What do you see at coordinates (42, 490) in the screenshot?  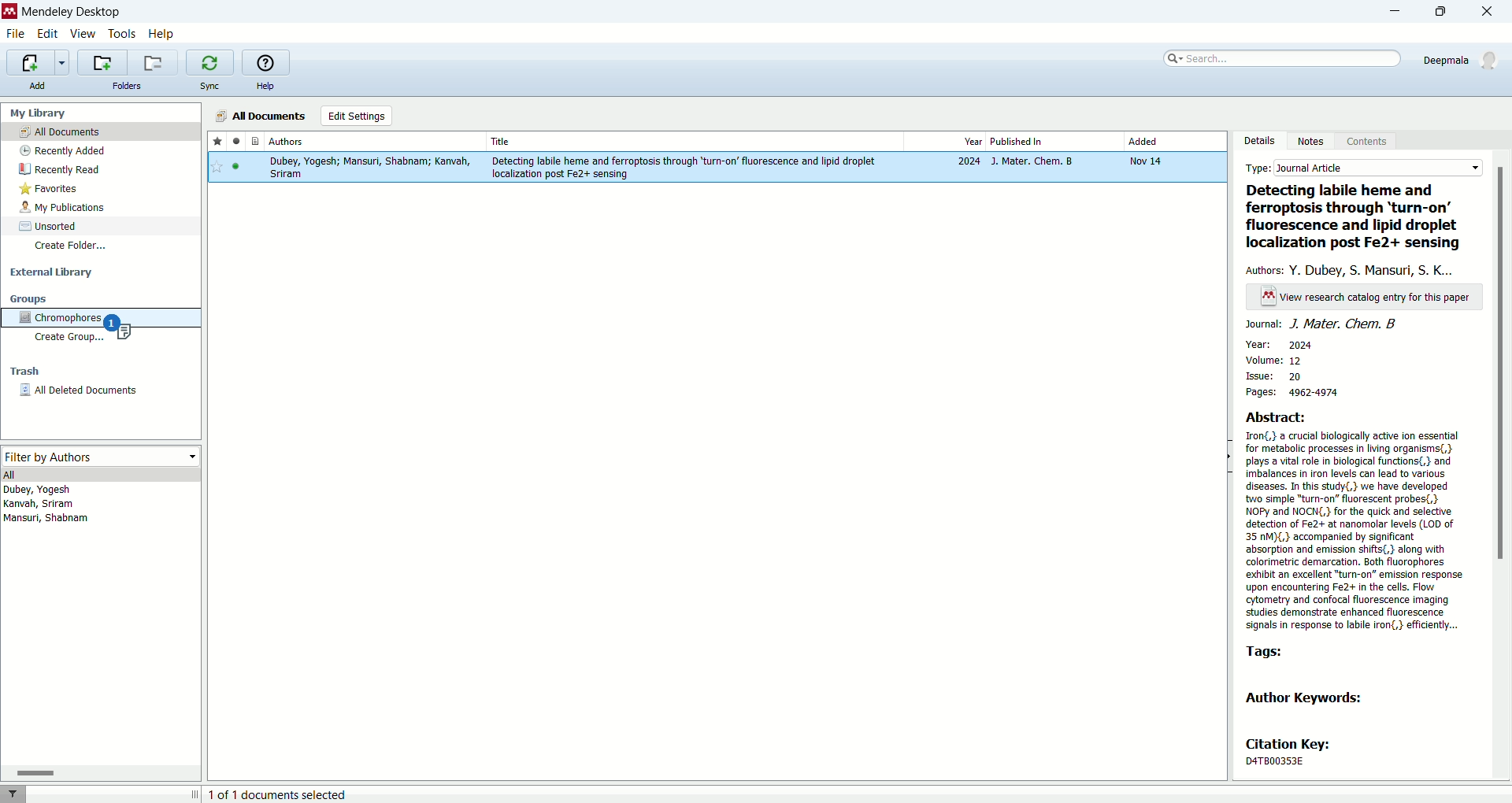 I see `Dubey, Yogesh` at bounding box center [42, 490].